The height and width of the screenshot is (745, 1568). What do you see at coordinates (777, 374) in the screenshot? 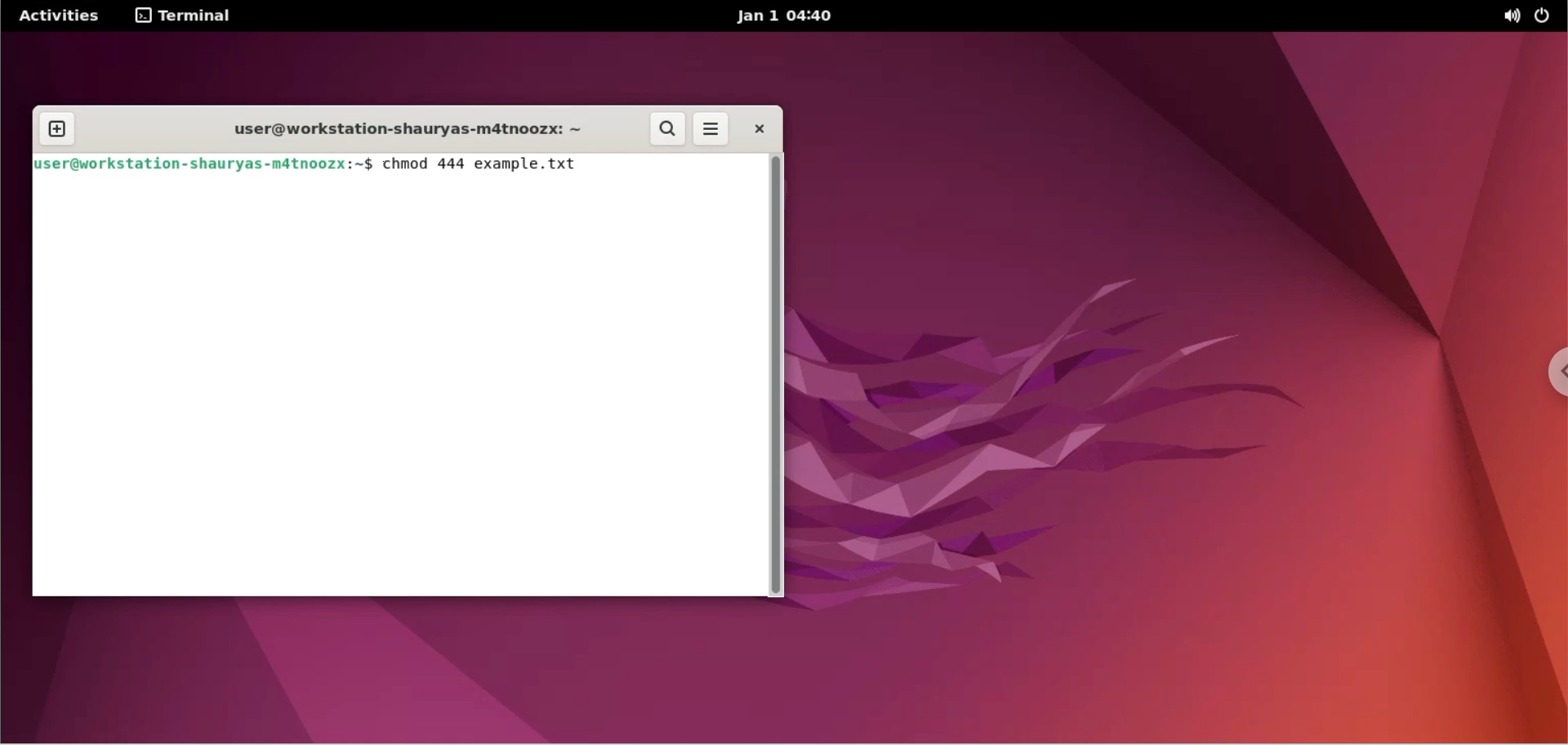
I see `scrollbar` at bounding box center [777, 374].